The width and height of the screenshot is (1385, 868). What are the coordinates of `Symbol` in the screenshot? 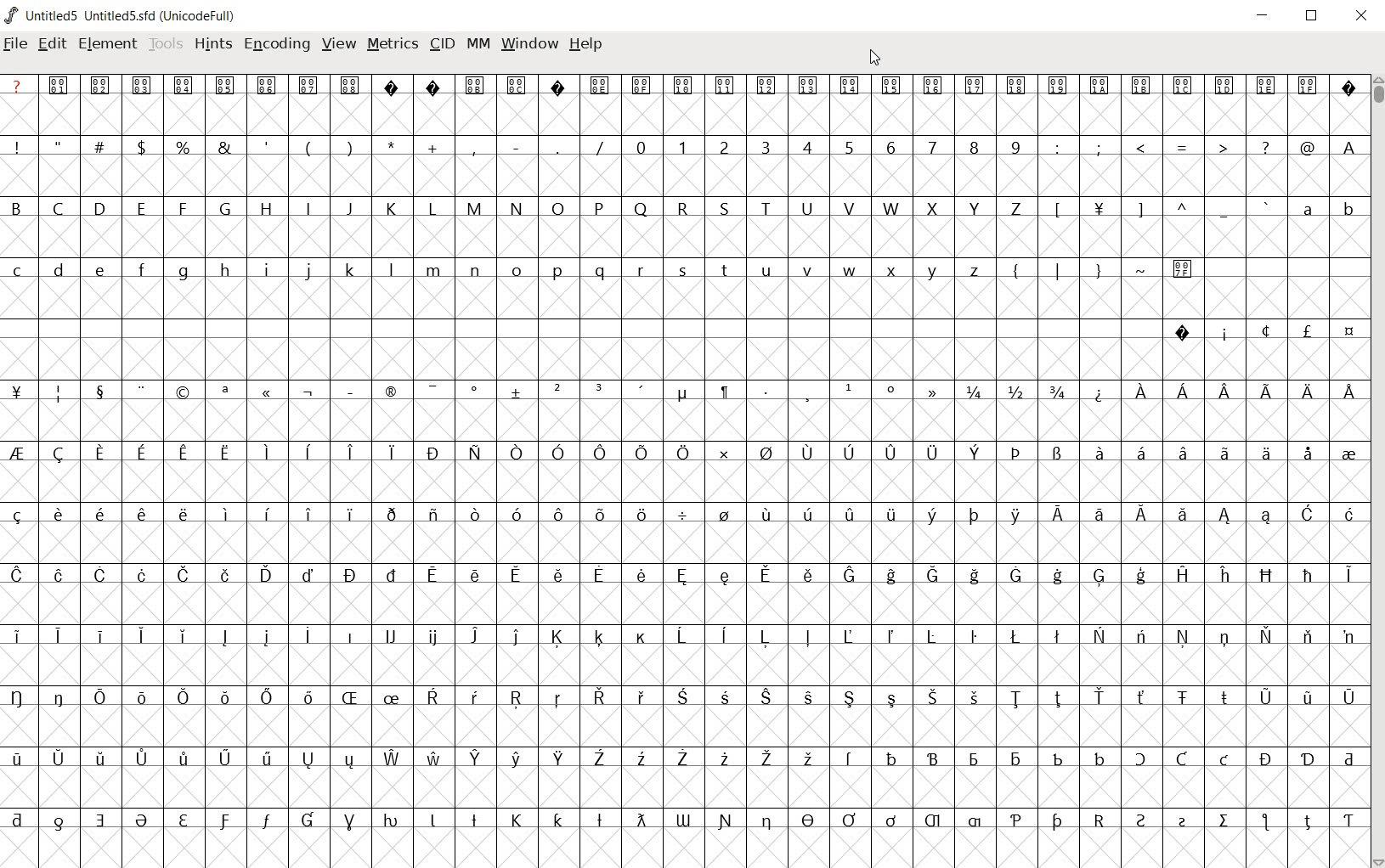 It's located at (393, 821).